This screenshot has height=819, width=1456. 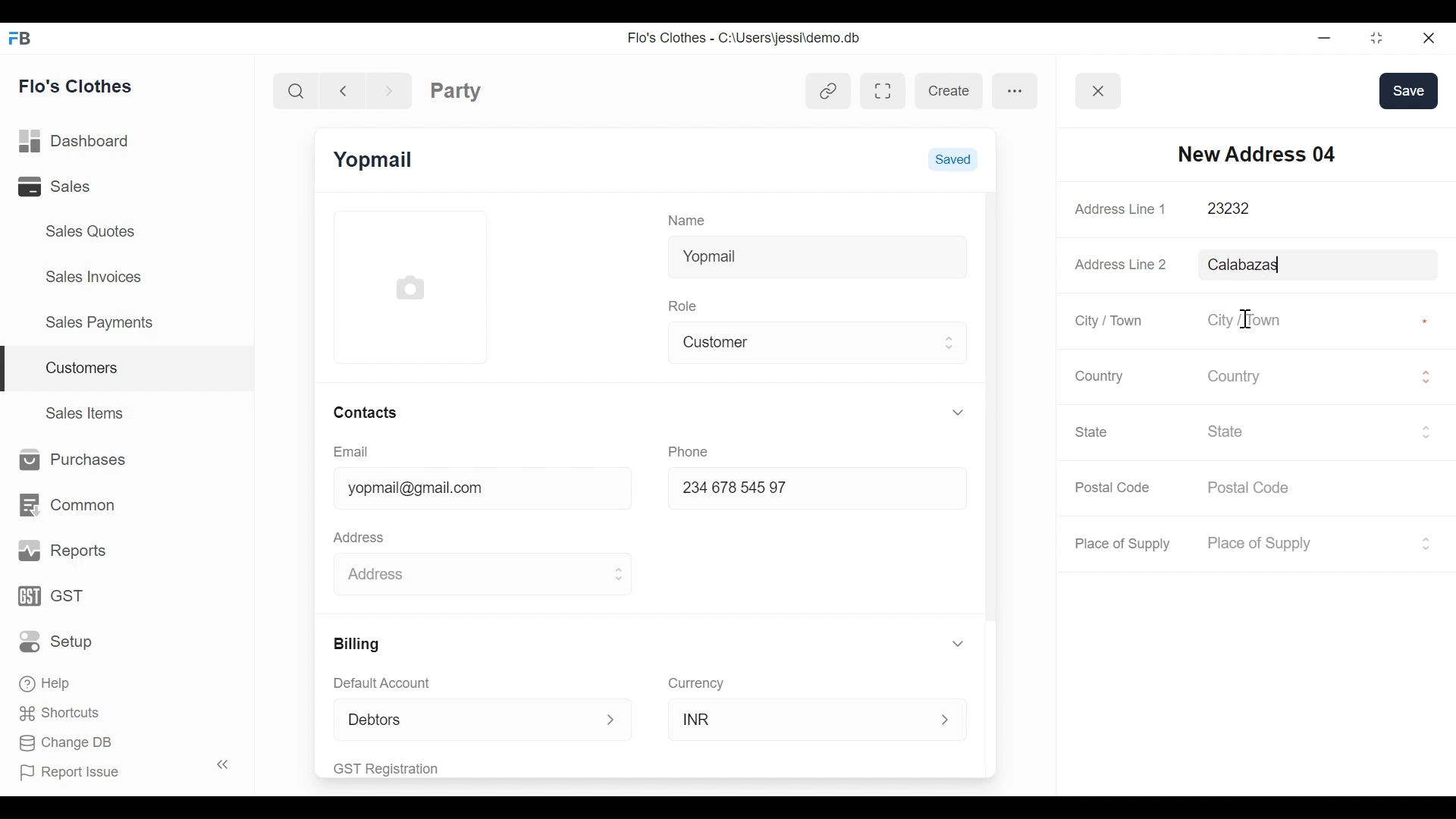 I want to click on Default Account, so click(x=392, y=682).